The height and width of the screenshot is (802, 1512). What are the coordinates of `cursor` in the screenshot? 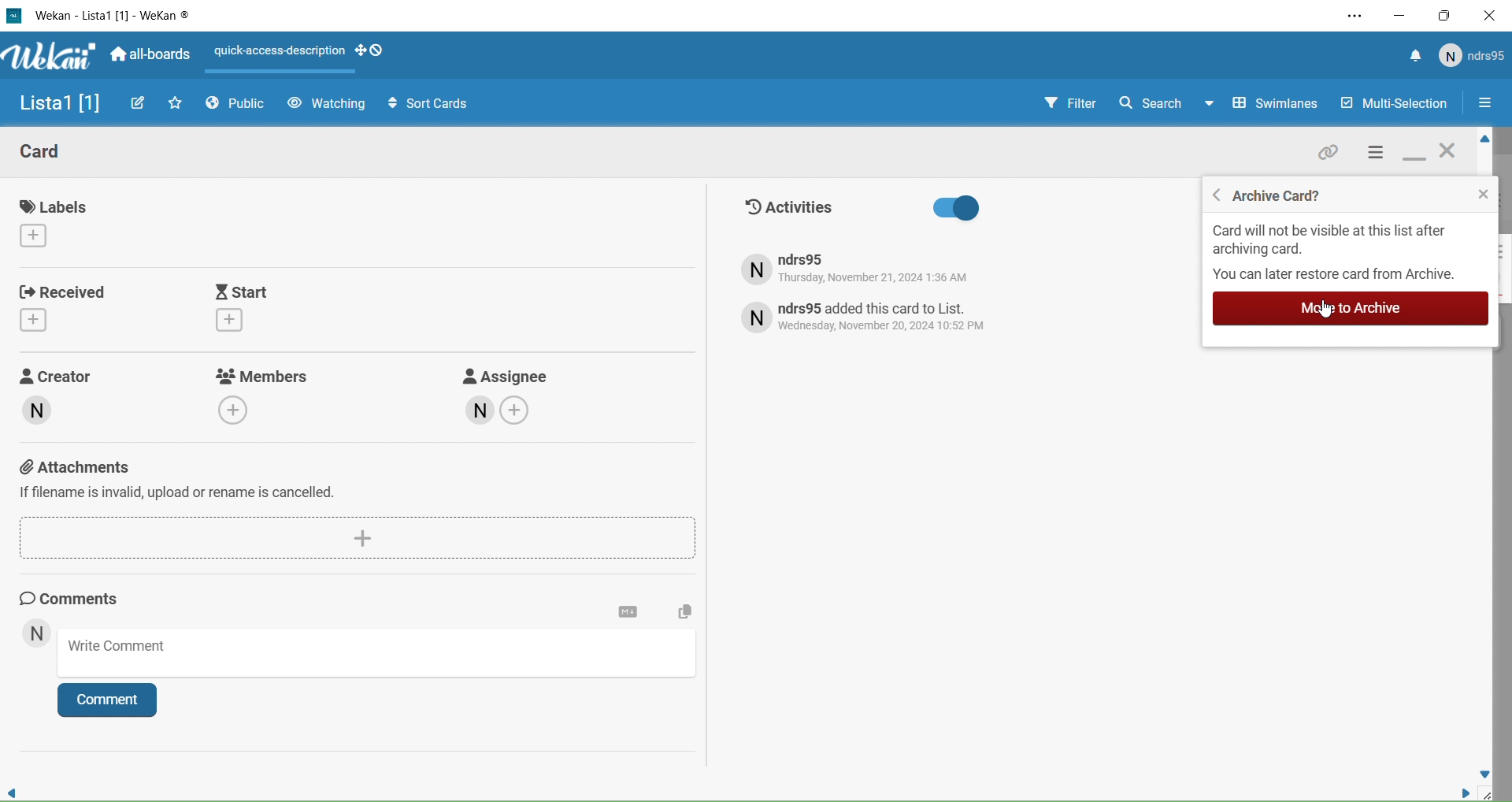 It's located at (1325, 311).